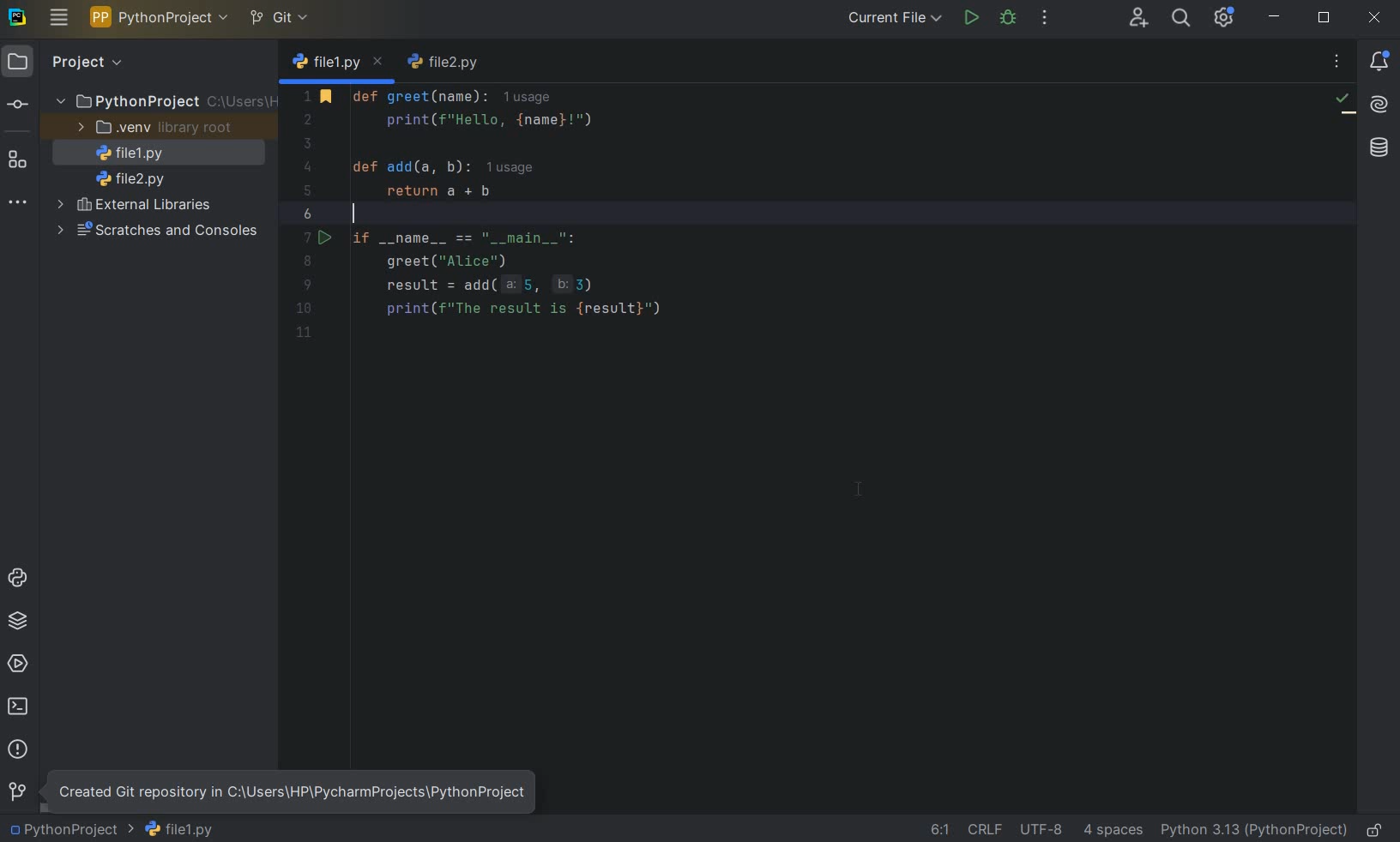 Image resolution: width=1400 pixels, height=842 pixels. I want to click on cursor, so click(859, 490).